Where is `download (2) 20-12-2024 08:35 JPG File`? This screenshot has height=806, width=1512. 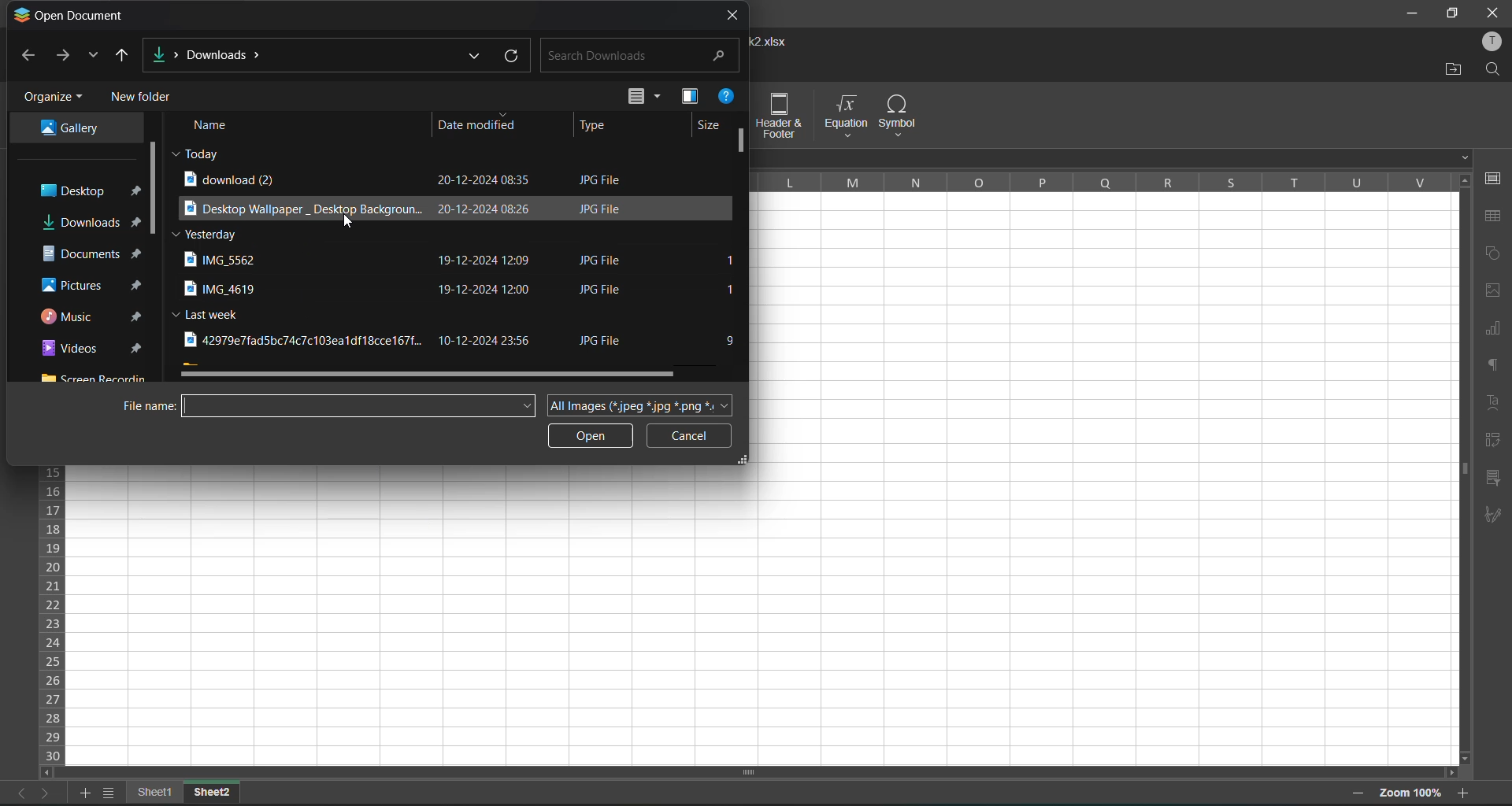
download (2) 20-12-2024 08:35 JPG File is located at coordinates (421, 179).